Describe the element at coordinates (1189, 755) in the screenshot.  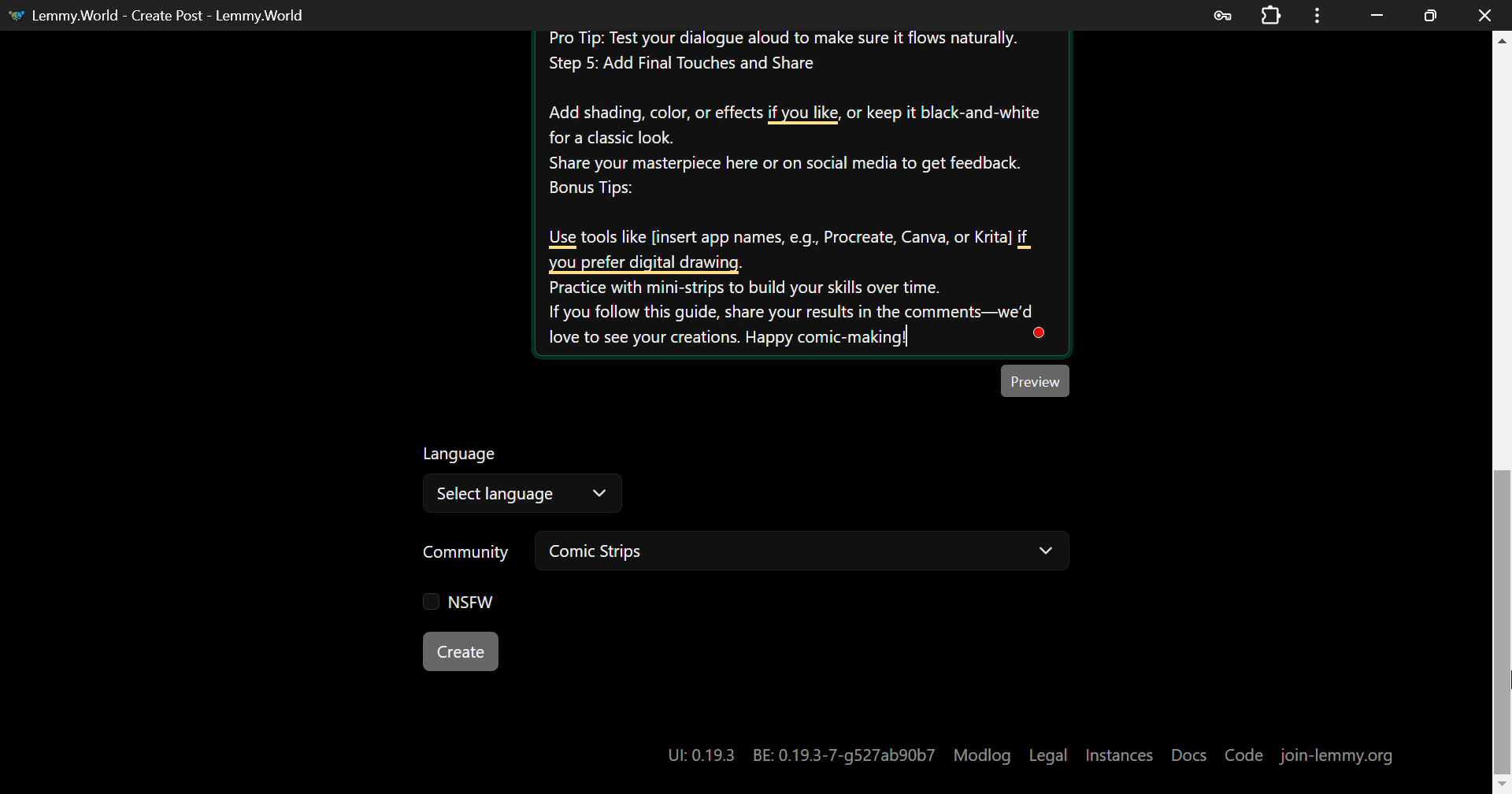
I see `Docs` at that location.